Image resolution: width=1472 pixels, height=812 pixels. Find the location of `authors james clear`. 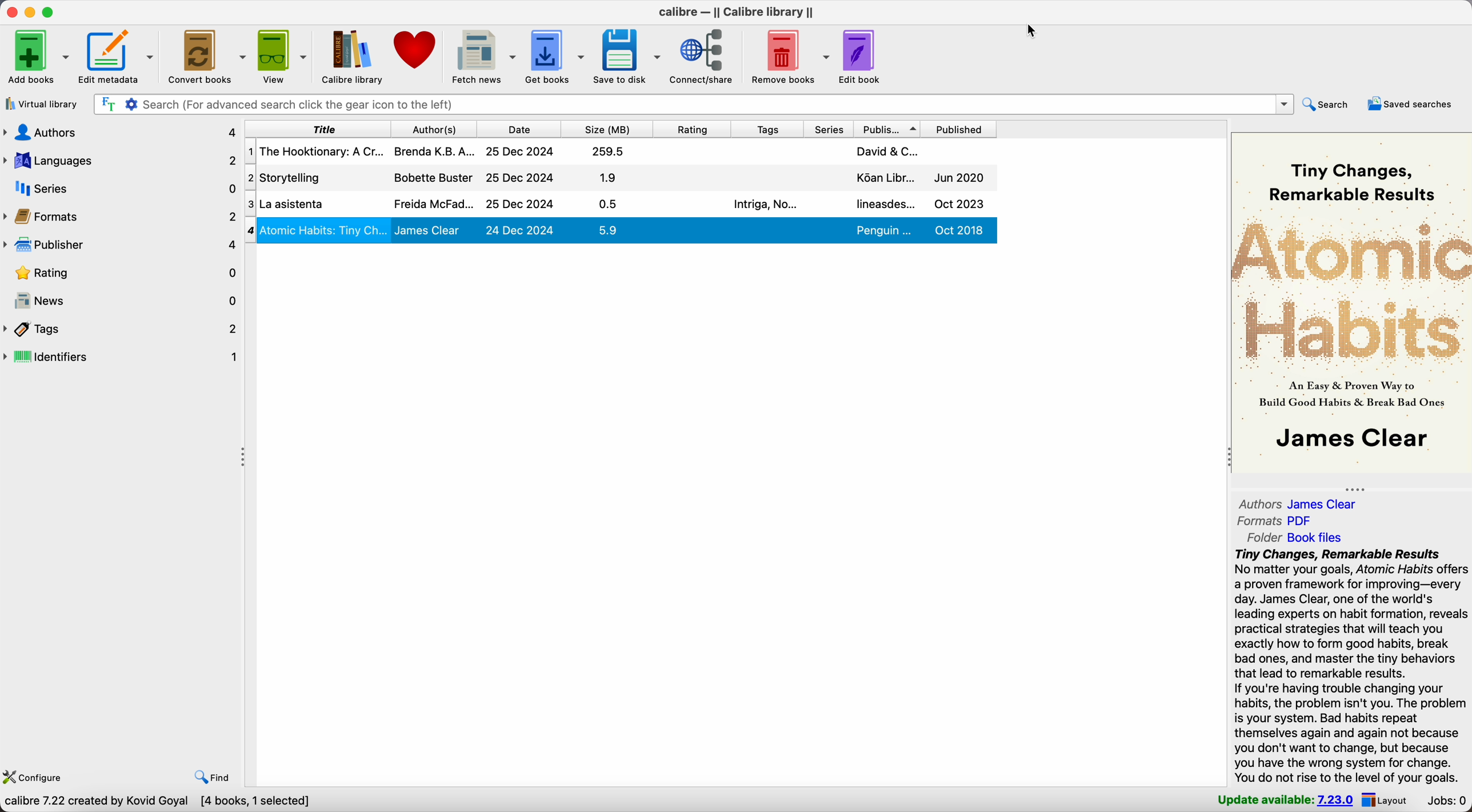

authors james clear is located at coordinates (1298, 504).